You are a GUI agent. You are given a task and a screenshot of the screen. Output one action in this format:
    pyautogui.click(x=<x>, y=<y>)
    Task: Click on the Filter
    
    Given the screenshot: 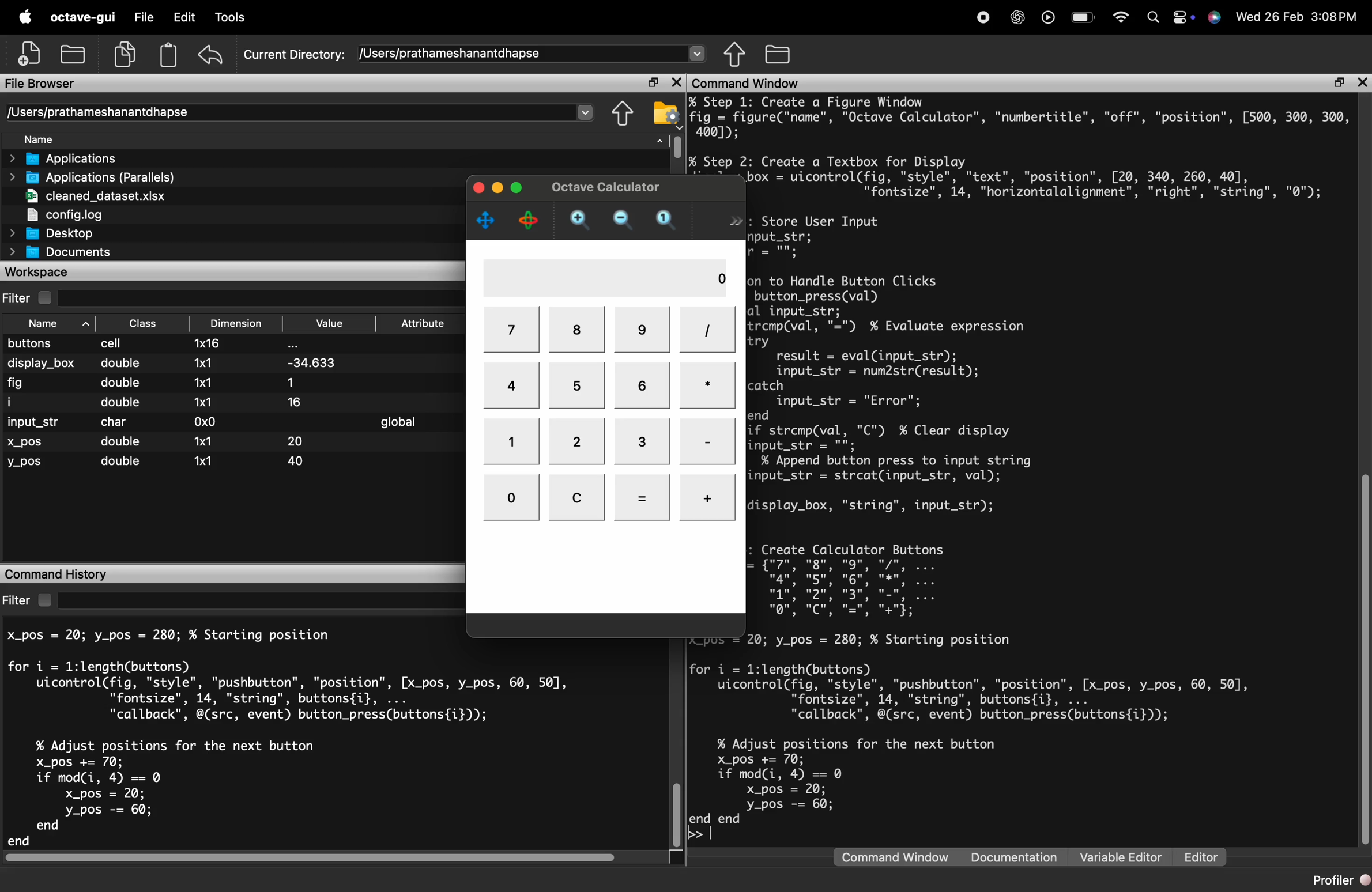 What is the action you would take?
    pyautogui.click(x=28, y=297)
    